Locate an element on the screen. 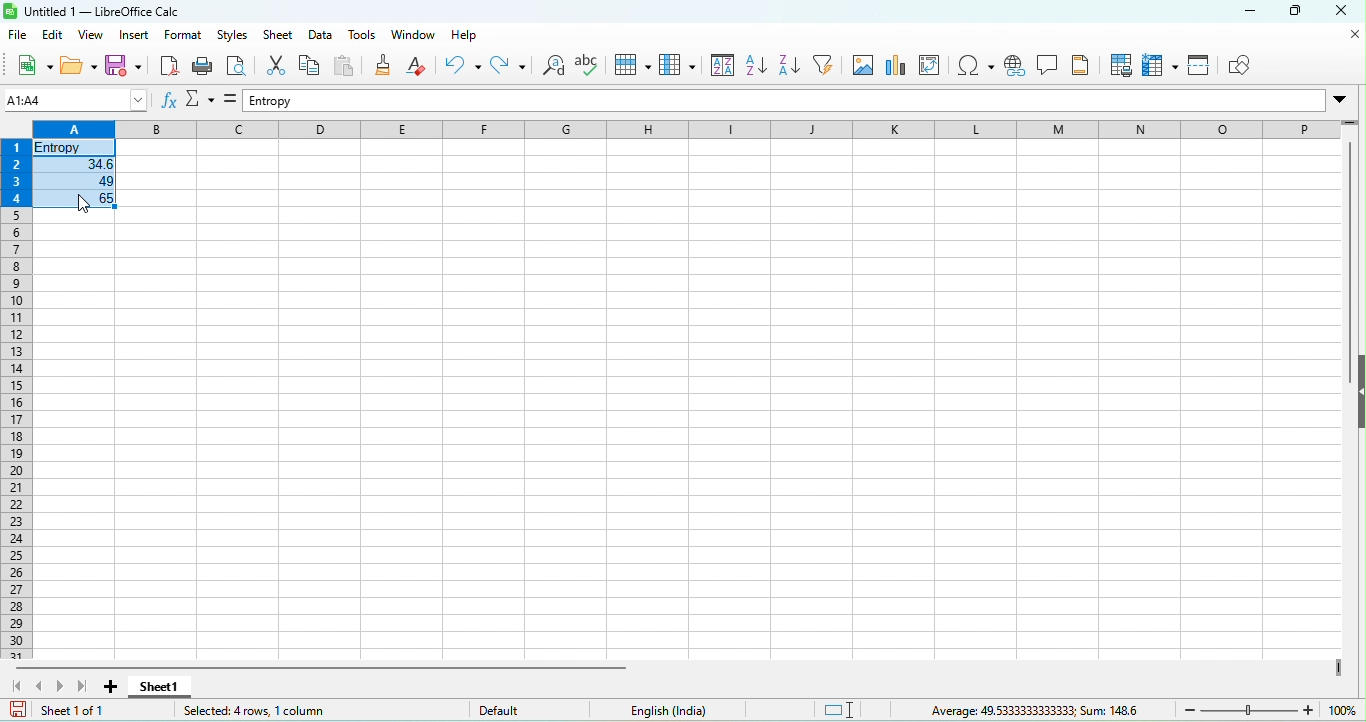  open is located at coordinates (78, 67).